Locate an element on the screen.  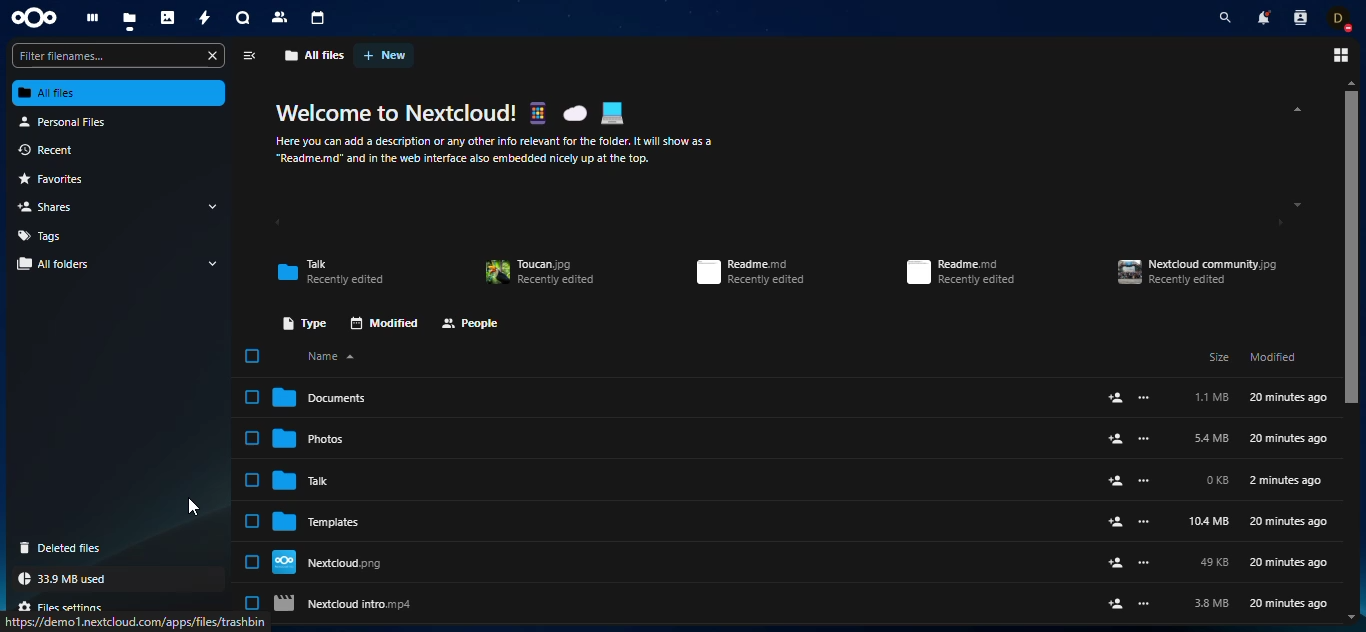
Size is located at coordinates (1215, 358).